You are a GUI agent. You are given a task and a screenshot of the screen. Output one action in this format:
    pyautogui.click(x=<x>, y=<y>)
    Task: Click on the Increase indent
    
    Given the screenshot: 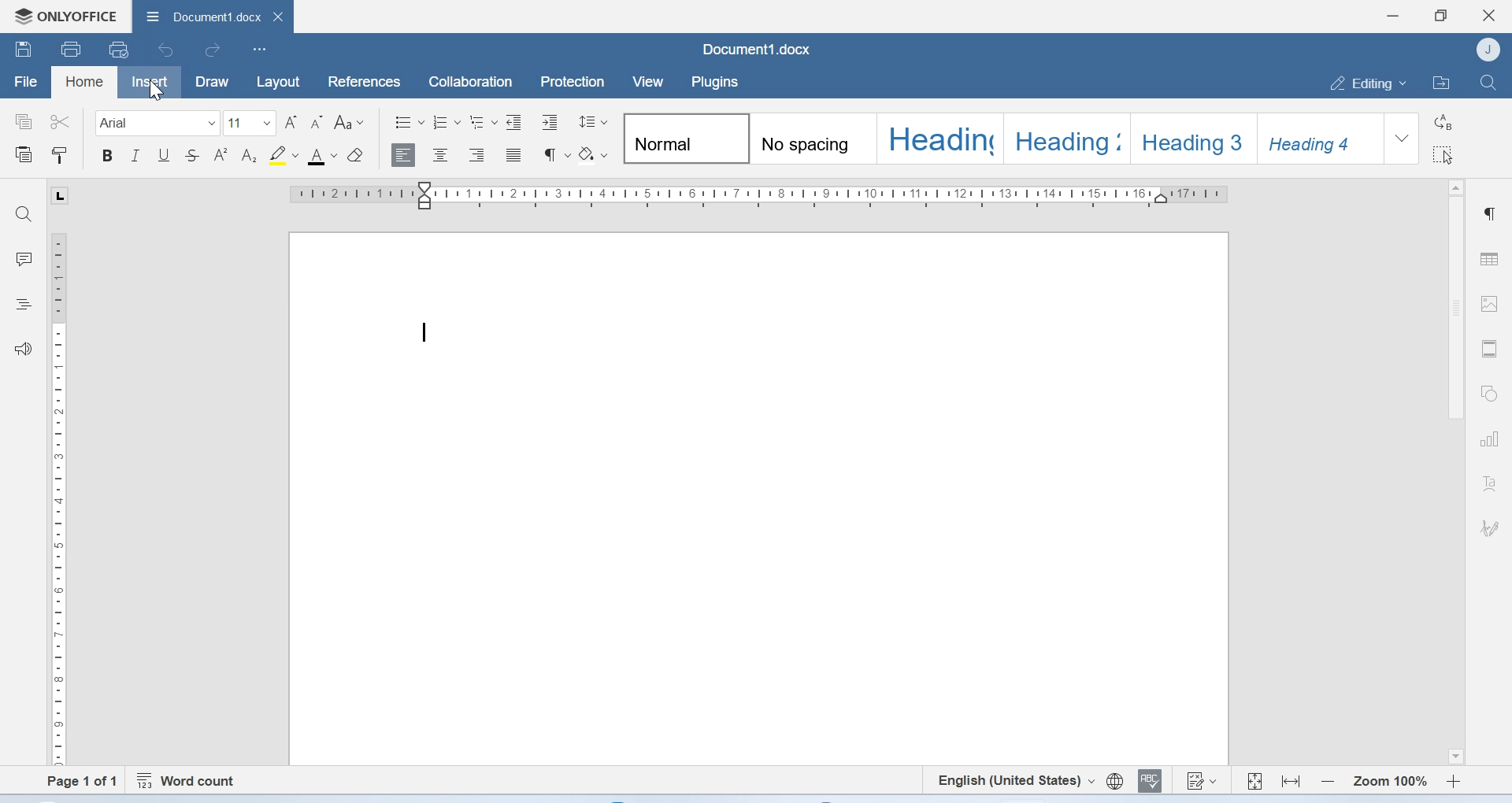 What is the action you would take?
    pyautogui.click(x=550, y=123)
    